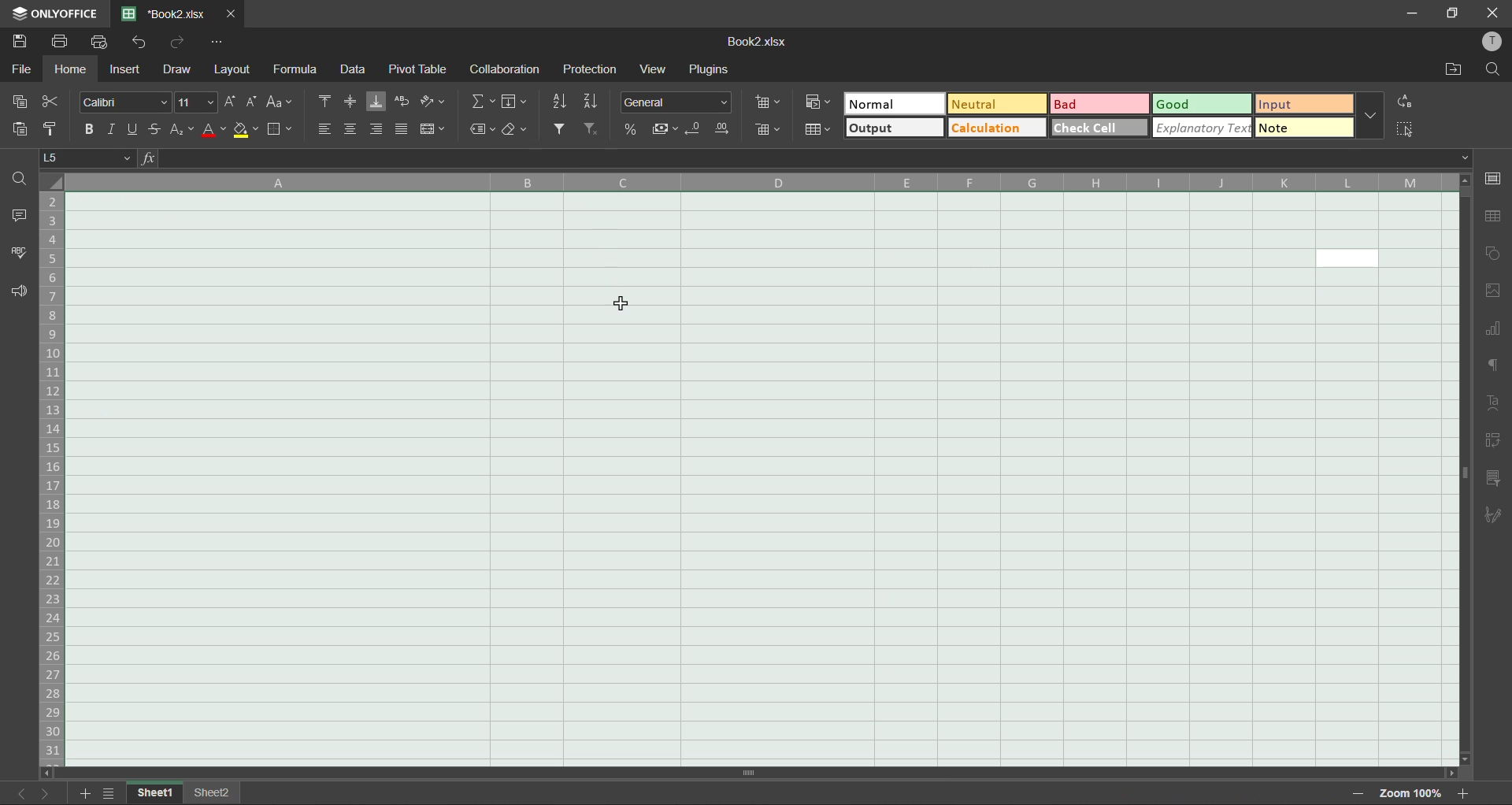 Image resolution: width=1512 pixels, height=805 pixels. Describe the element at coordinates (133, 130) in the screenshot. I see `underline` at that location.